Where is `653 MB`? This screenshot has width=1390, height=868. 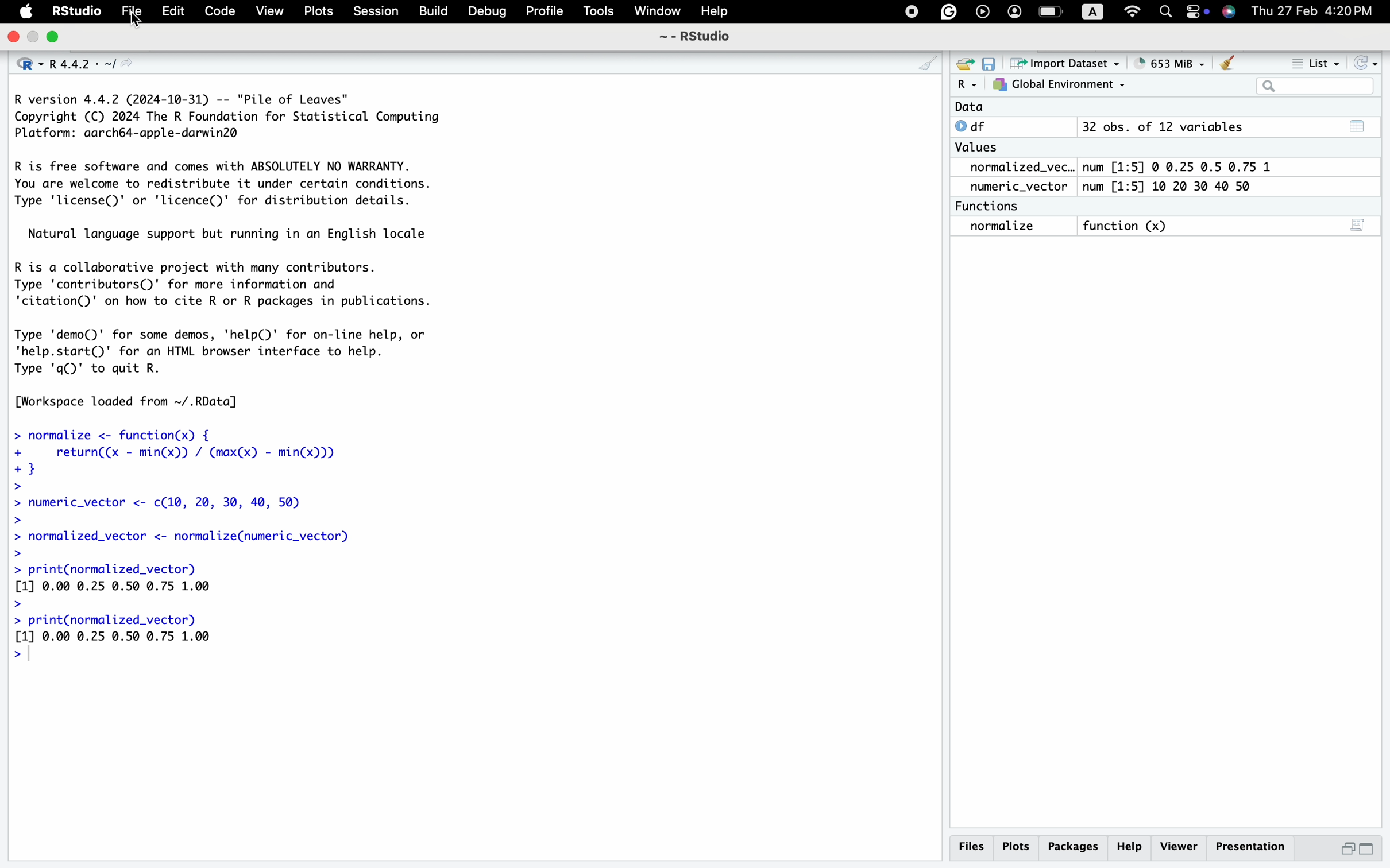
653 MB is located at coordinates (1177, 63).